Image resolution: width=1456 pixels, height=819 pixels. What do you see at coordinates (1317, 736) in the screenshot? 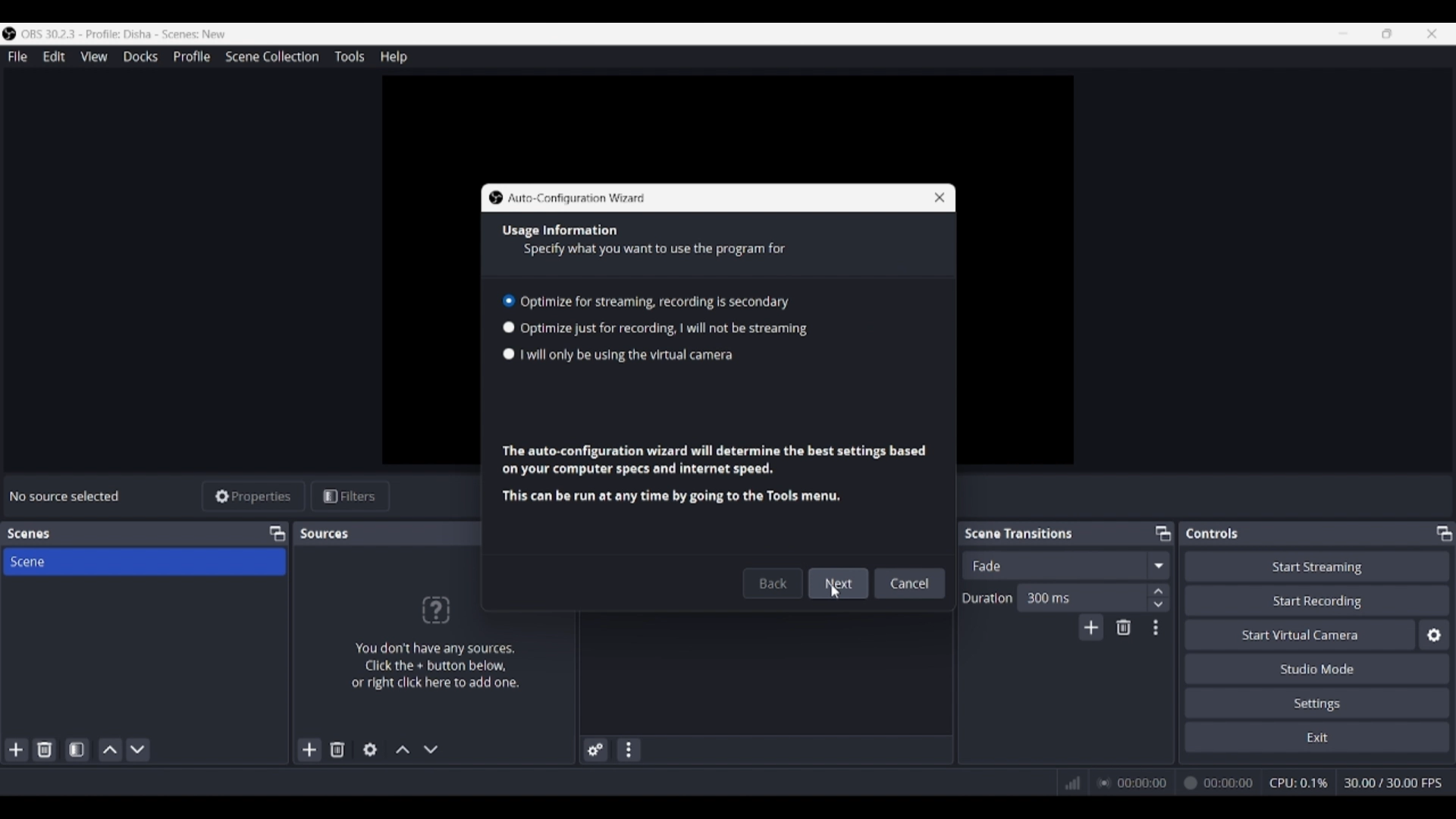
I see `Exit` at bounding box center [1317, 736].